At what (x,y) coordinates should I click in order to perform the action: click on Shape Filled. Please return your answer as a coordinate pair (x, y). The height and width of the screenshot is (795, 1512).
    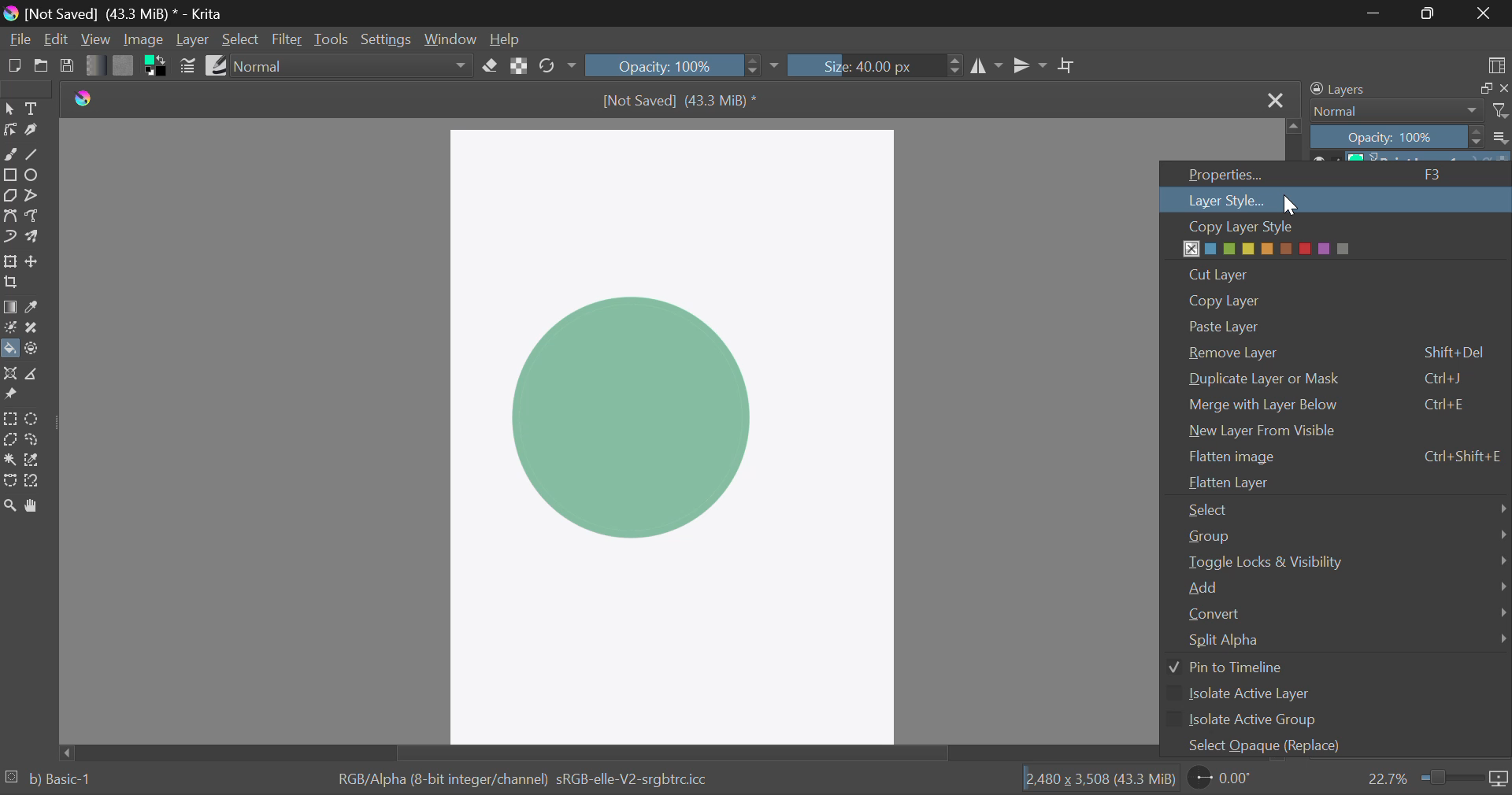
    Looking at the image, I should click on (638, 419).